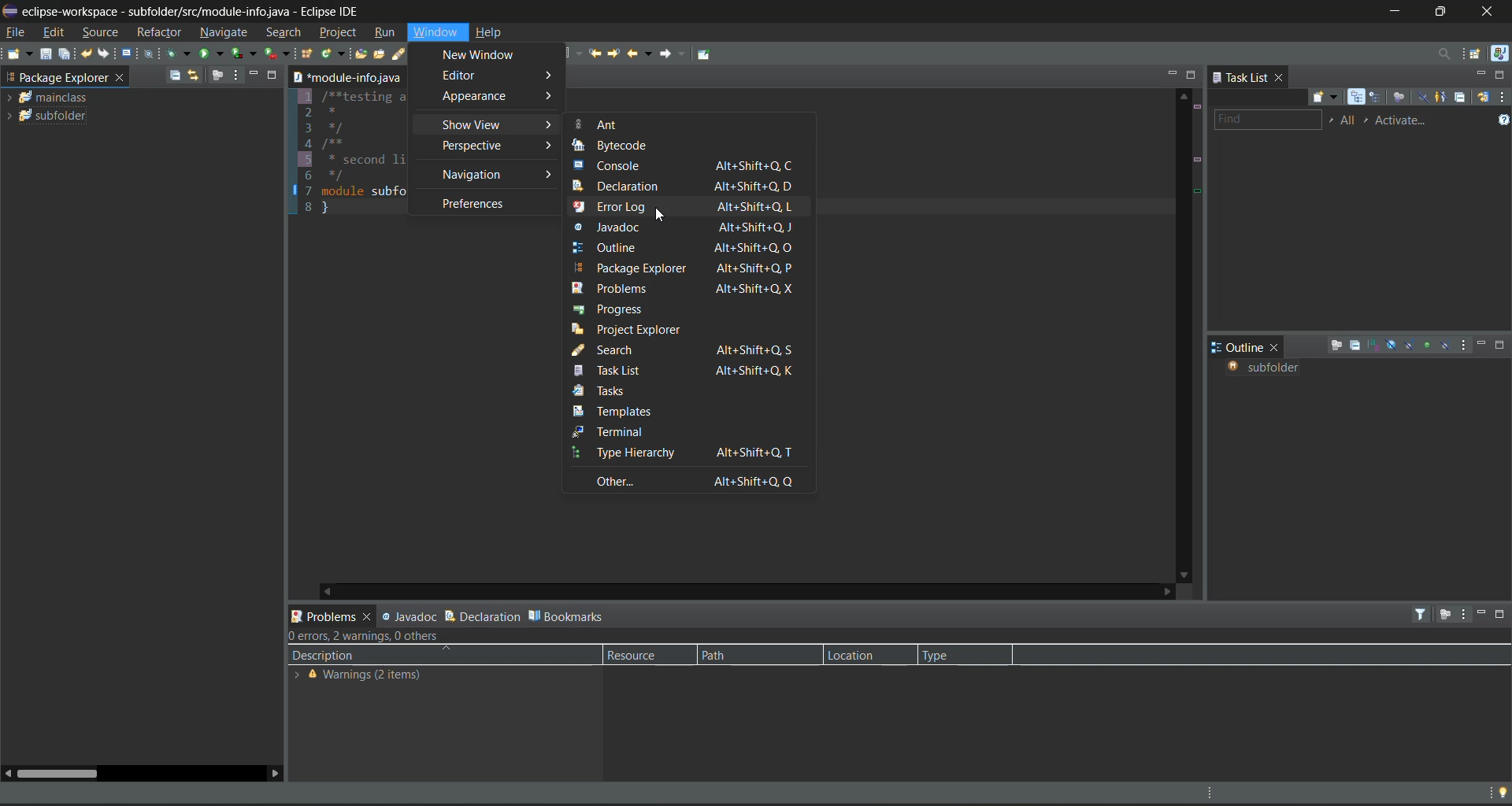  I want to click on minimize, so click(1478, 76).